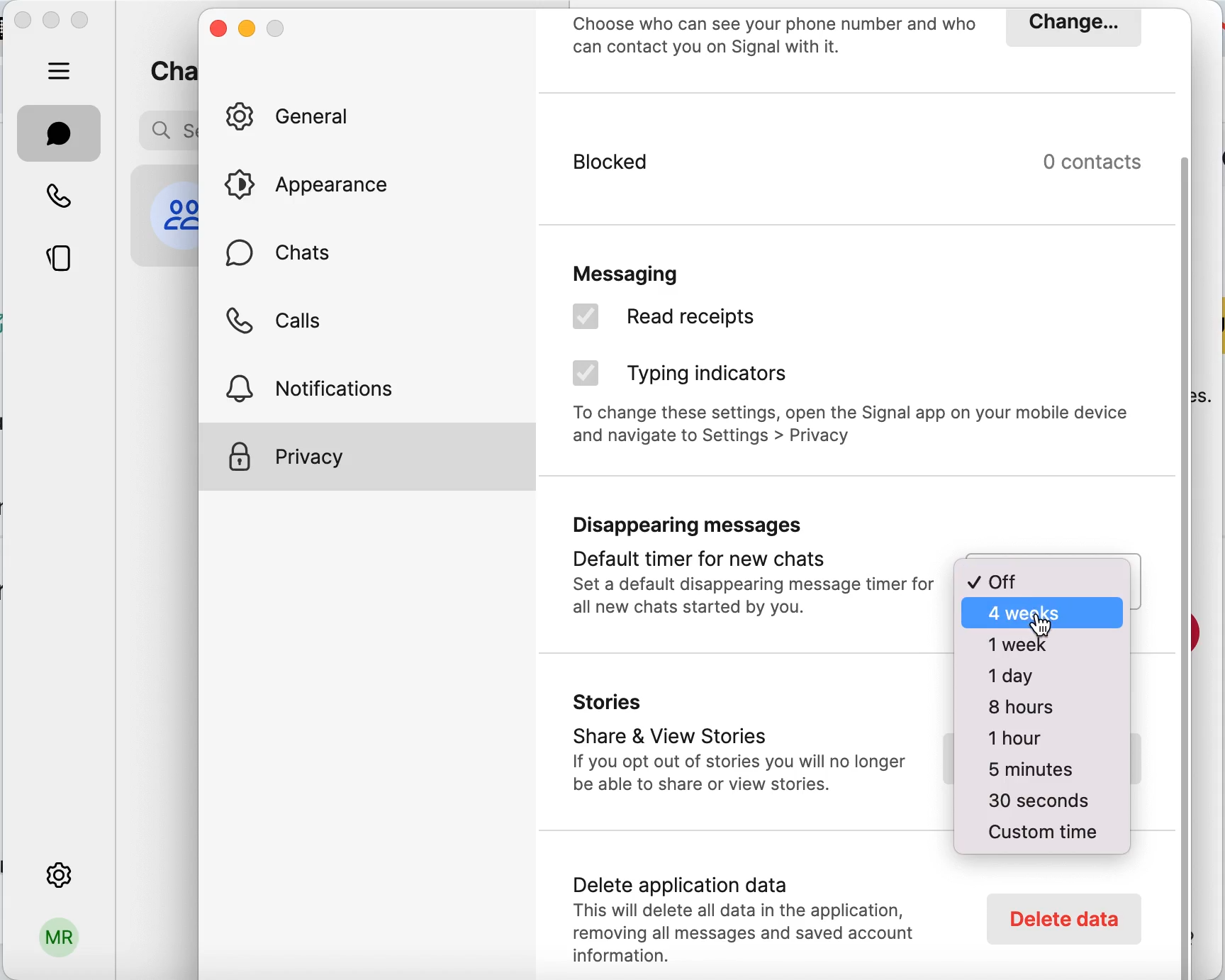 The width and height of the screenshot is (1225, 980). Describe the element at coordinates (1061, 918) in the screenshot. I see `delete data` at that location.